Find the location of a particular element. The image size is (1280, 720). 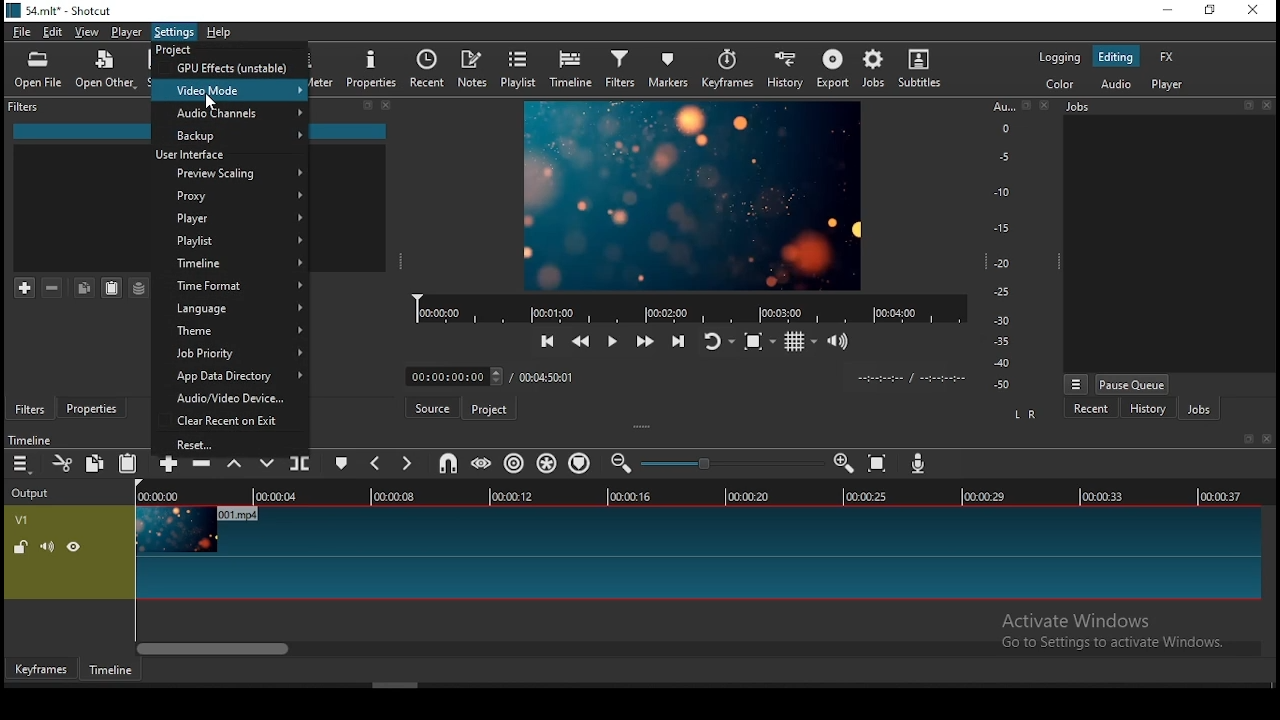

gpu effects is located at coordinates (231, 67).